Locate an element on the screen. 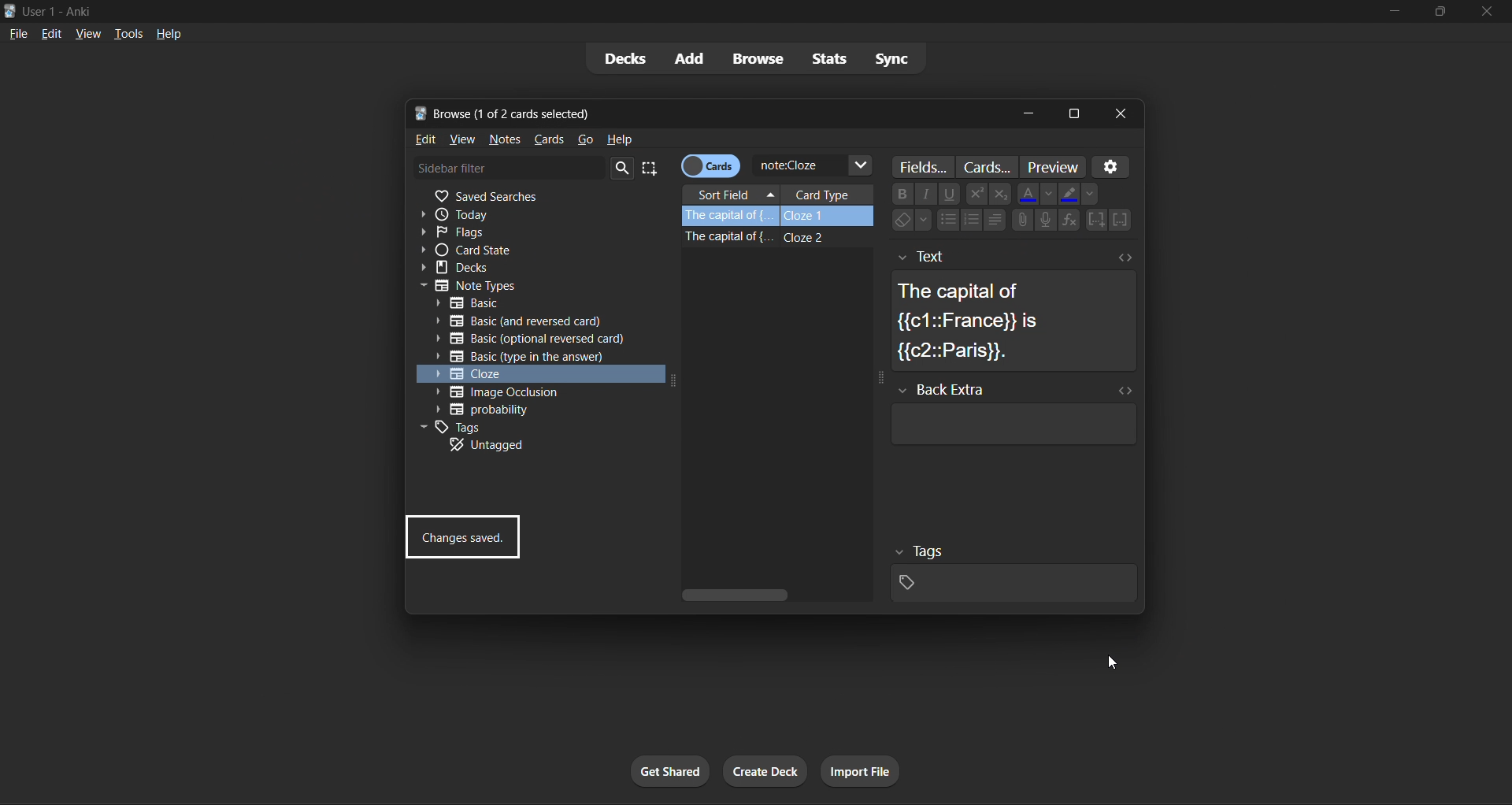  basic type is located at coordinates (536, 303).